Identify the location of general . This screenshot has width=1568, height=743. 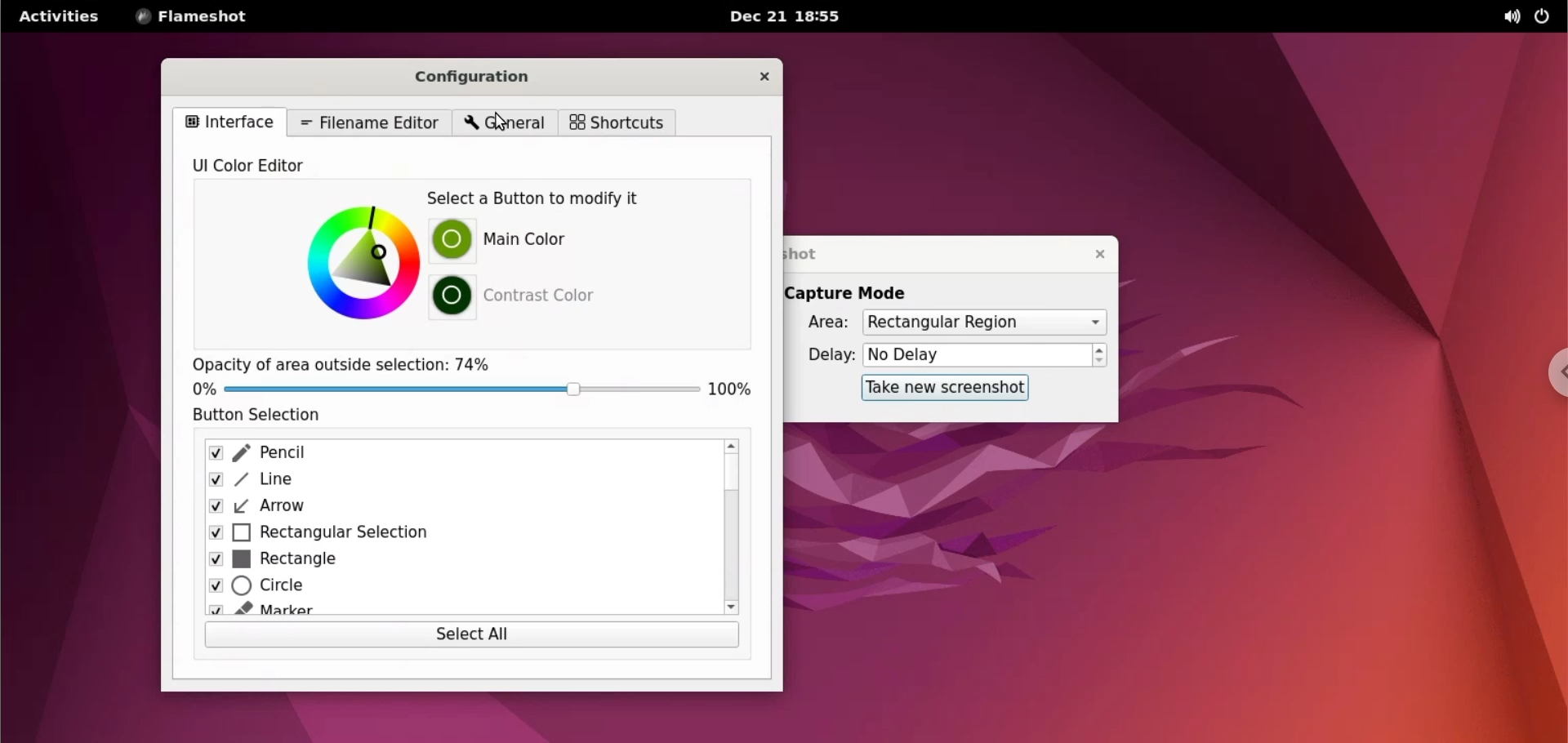
(501, 123).